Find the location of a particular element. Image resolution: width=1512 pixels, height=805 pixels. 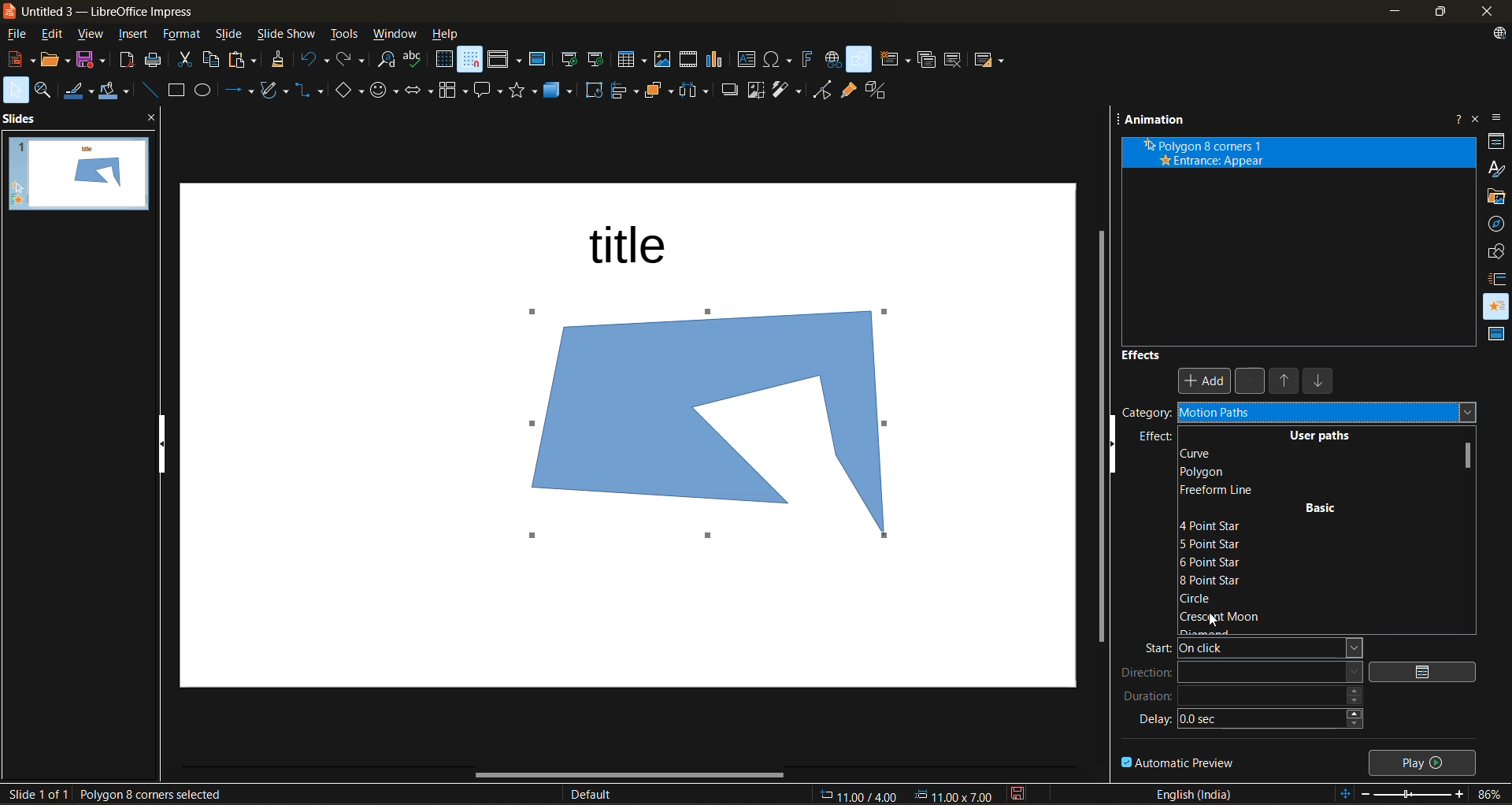

freeform line is located at coordinates (1227, 492).